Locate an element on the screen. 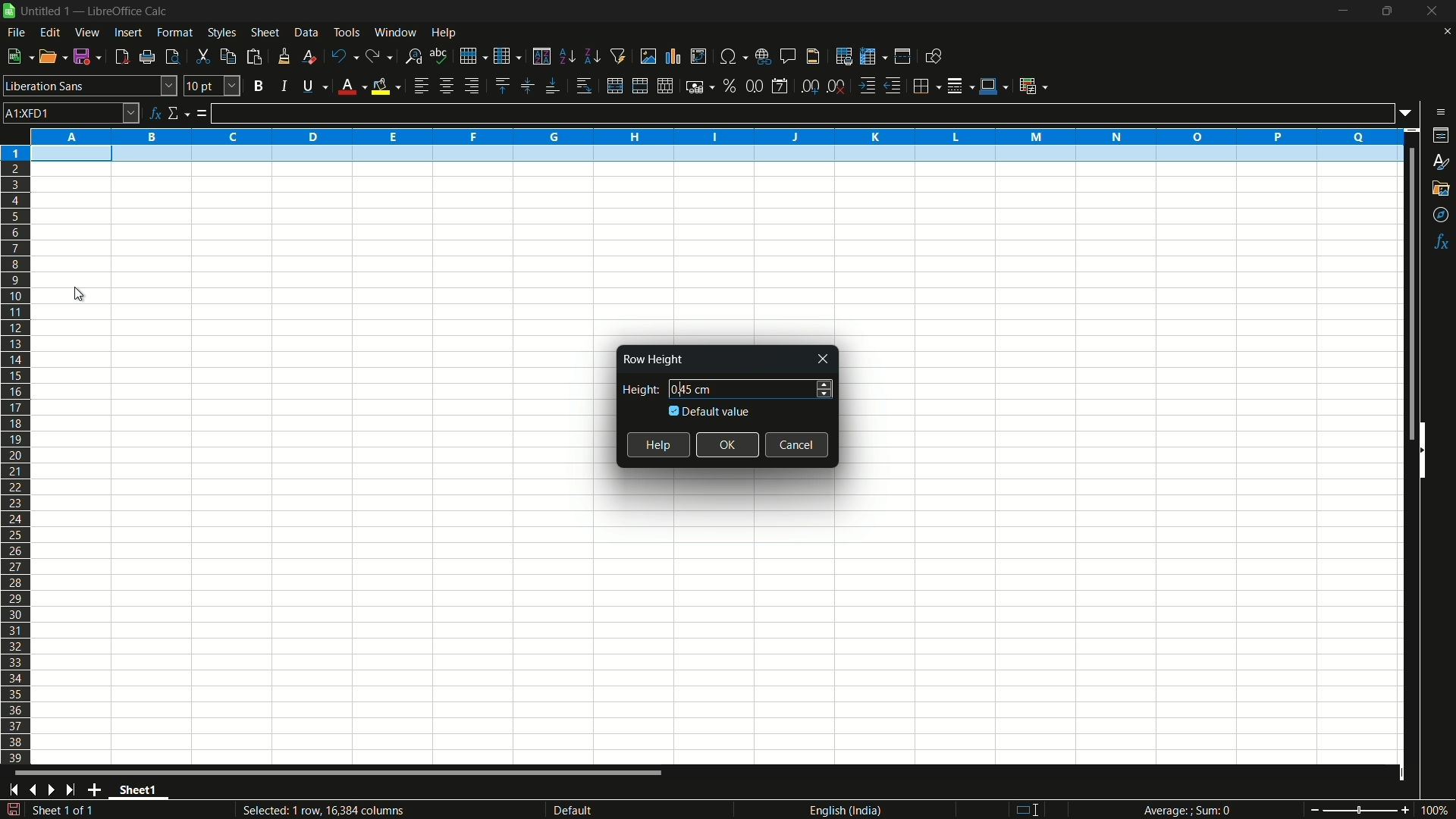  insert comment is located at coordinates (789, 56).